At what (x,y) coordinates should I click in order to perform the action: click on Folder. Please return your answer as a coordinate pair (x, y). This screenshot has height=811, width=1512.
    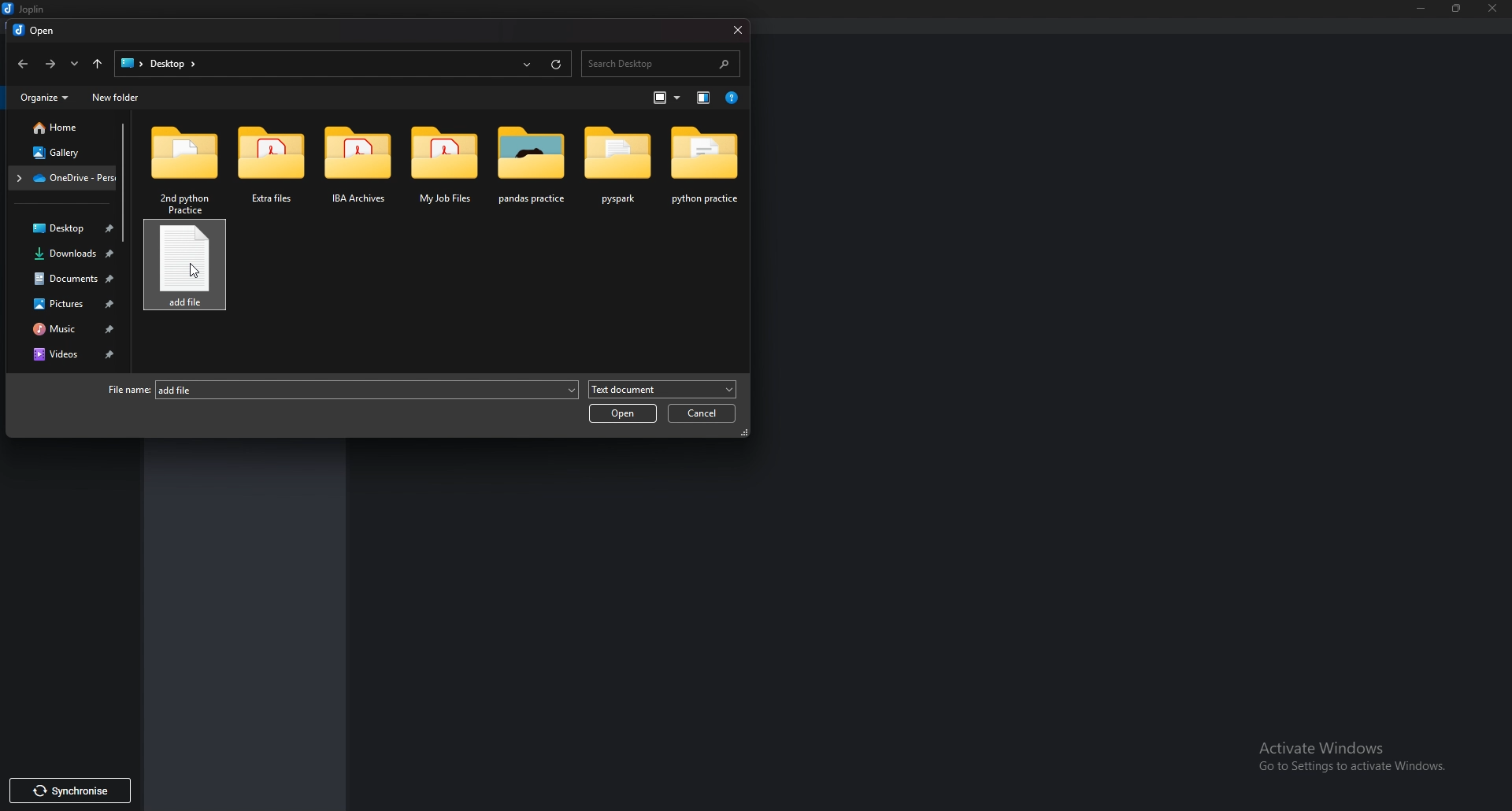
    Looking at the image, I should click on (66, 178).